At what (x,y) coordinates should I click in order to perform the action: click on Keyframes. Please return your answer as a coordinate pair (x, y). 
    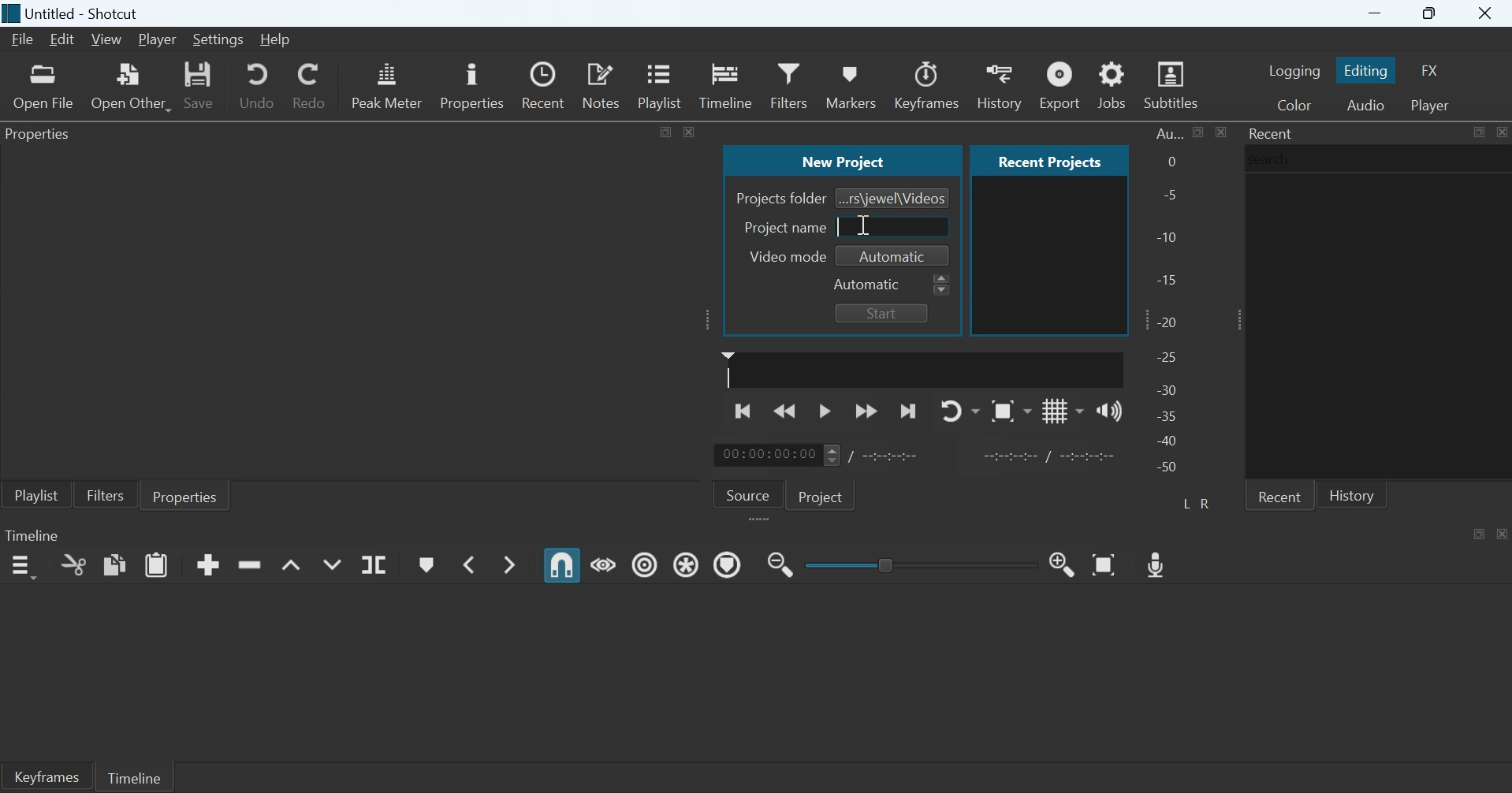
    Looking at the image, I should click on (46, 776).